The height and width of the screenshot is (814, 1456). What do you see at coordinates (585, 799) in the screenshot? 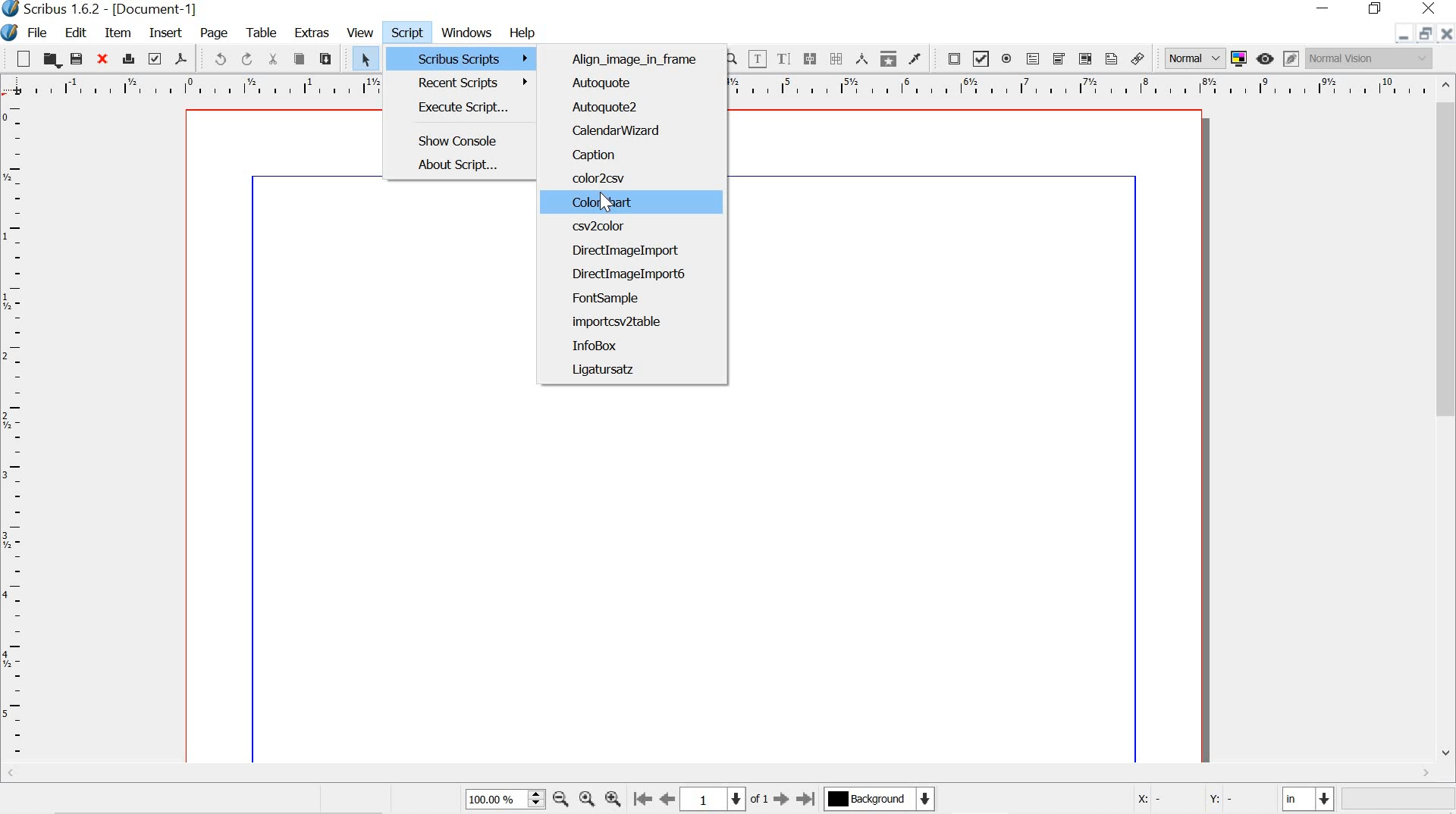
I see `Center` at bounding box center [585, 799].